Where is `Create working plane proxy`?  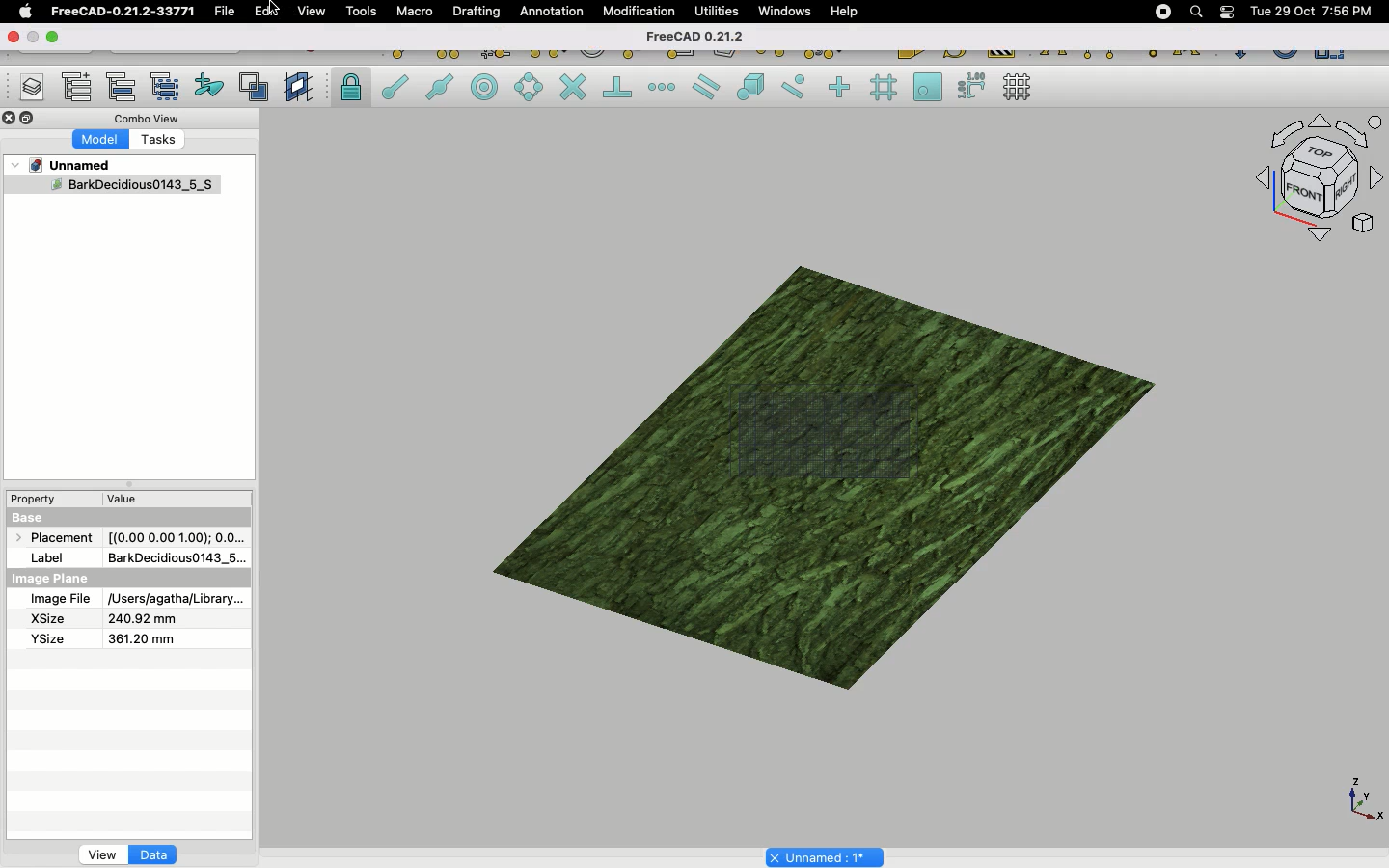 Create working plane proxy is located at coordinates (301, 88).